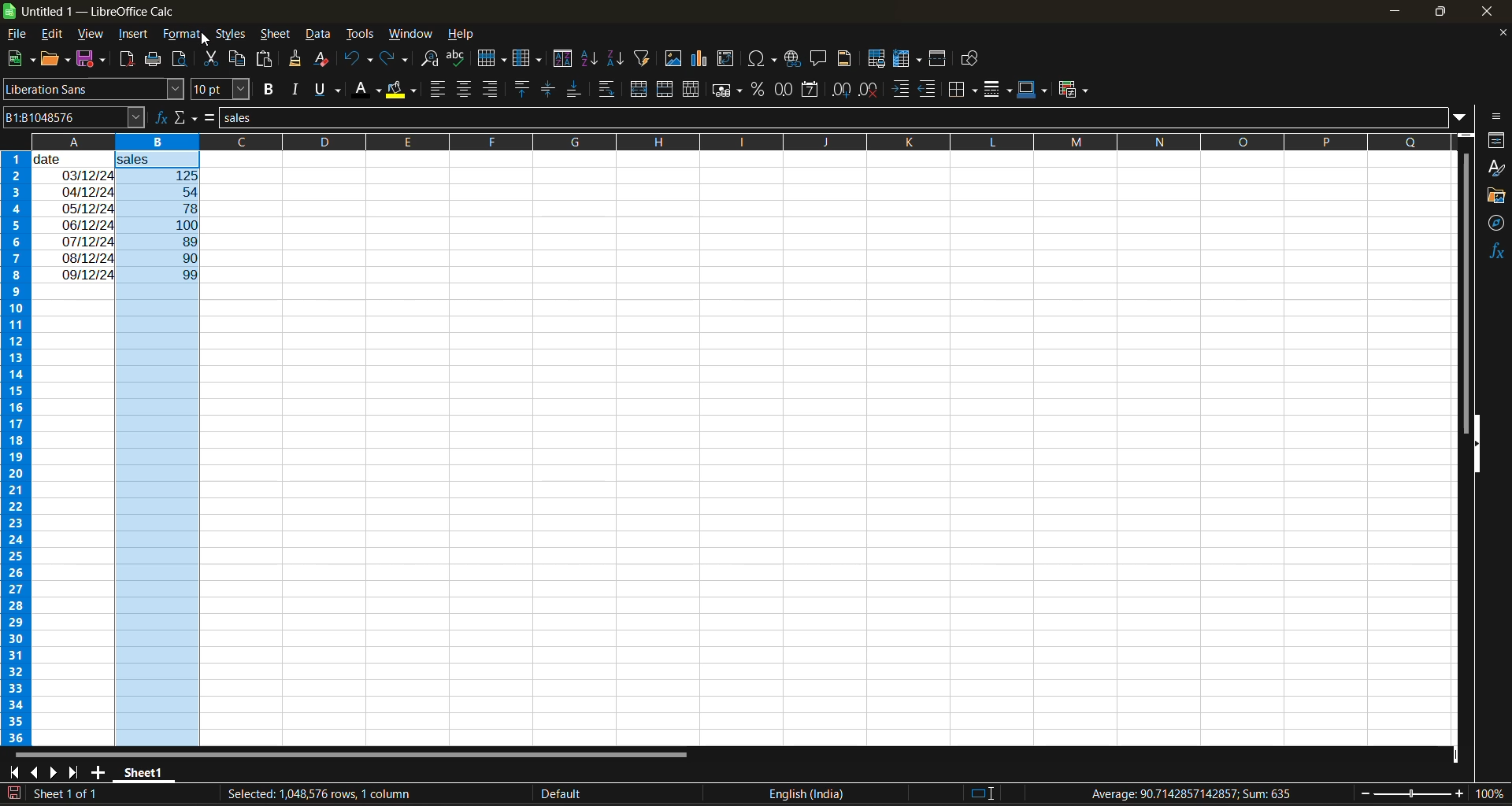 The width and height of the screenshot is (1512, 806). What do you see at coordinates (220, 89) in the screenshot?
I see `font size` at bounding box center [220, 89].